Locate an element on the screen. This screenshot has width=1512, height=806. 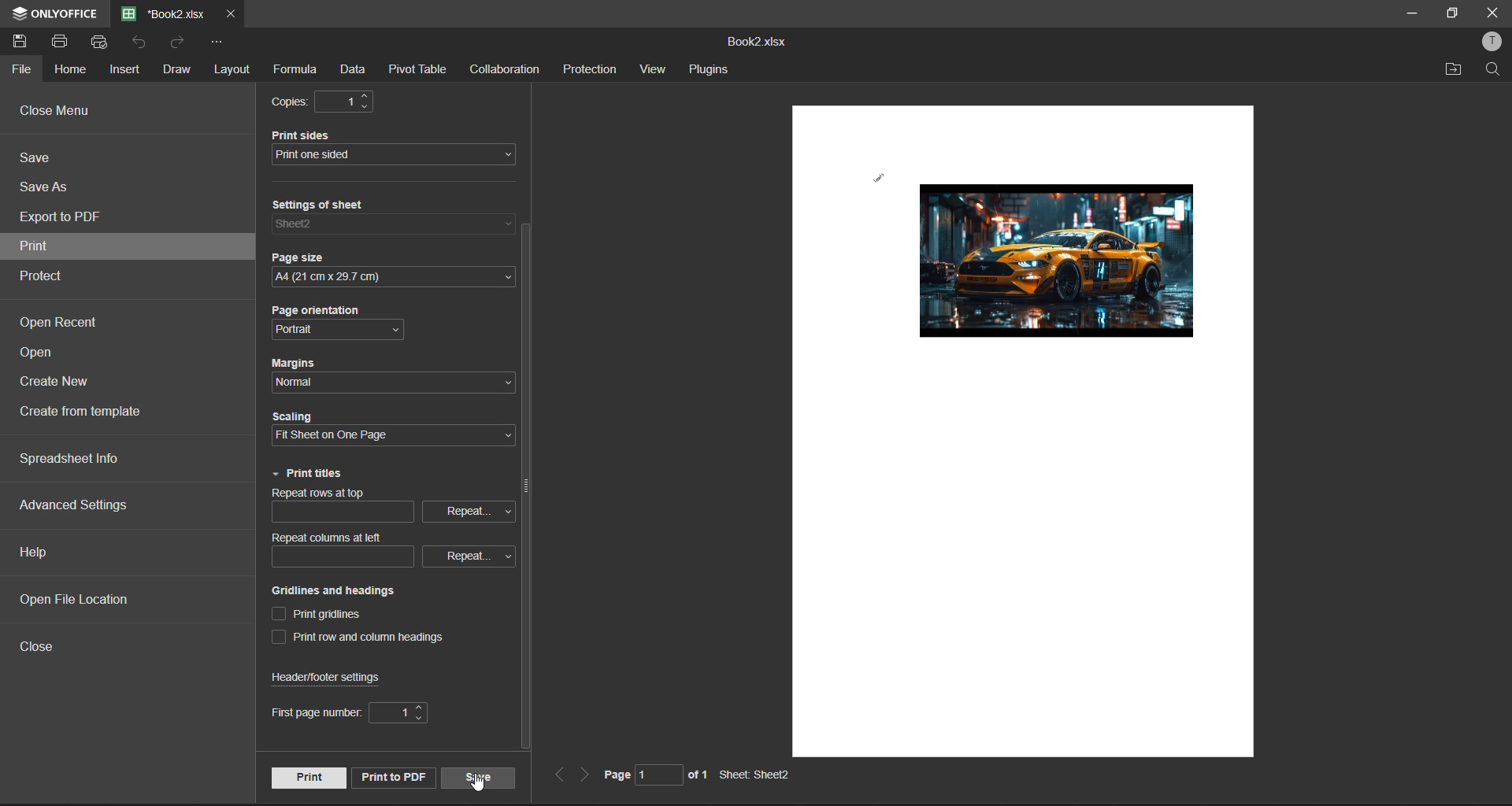
print sides is located at coordinates (316, 135).